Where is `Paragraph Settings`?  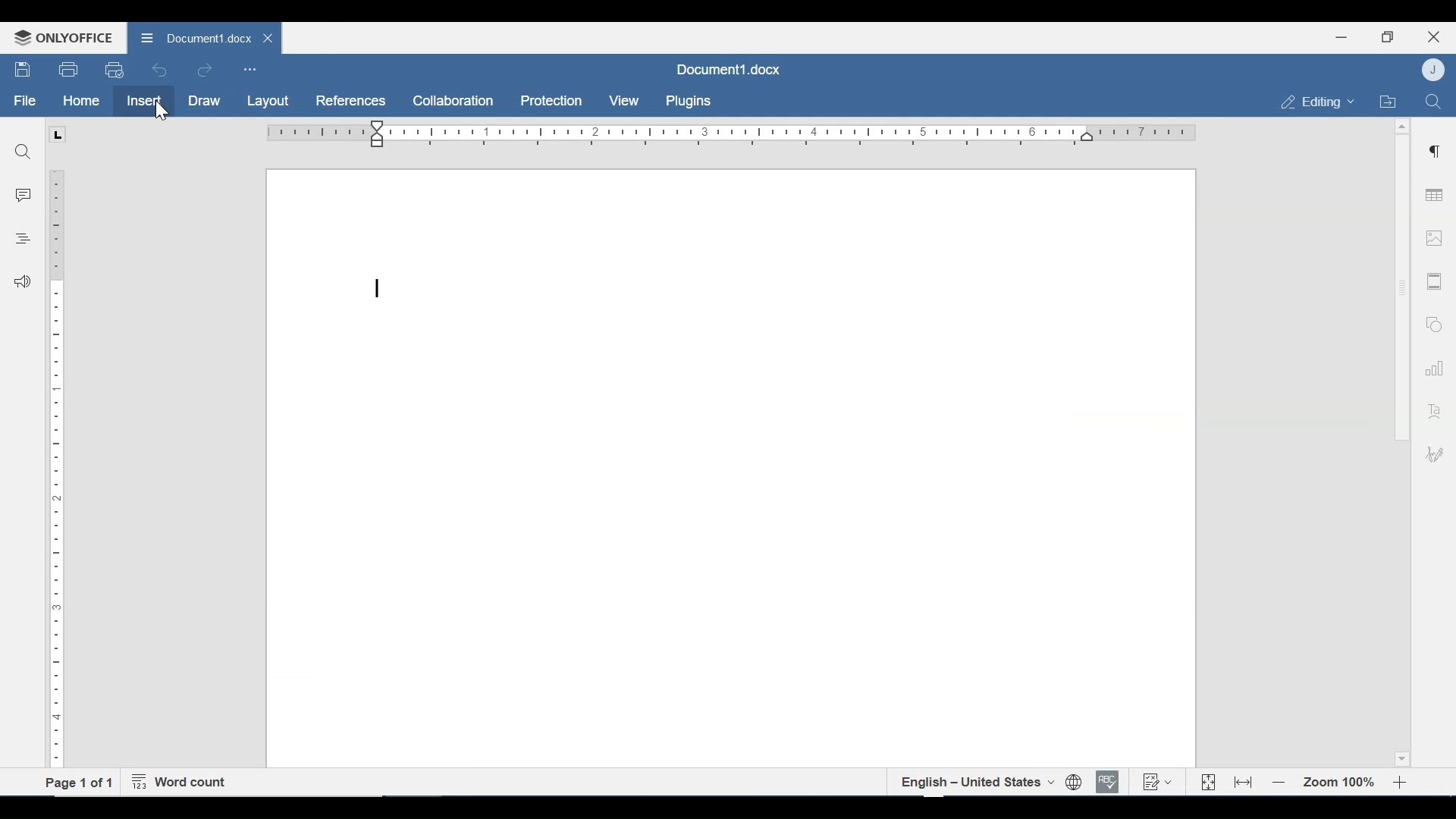 Paragraph Settings is located at coordinates (1435, 149).